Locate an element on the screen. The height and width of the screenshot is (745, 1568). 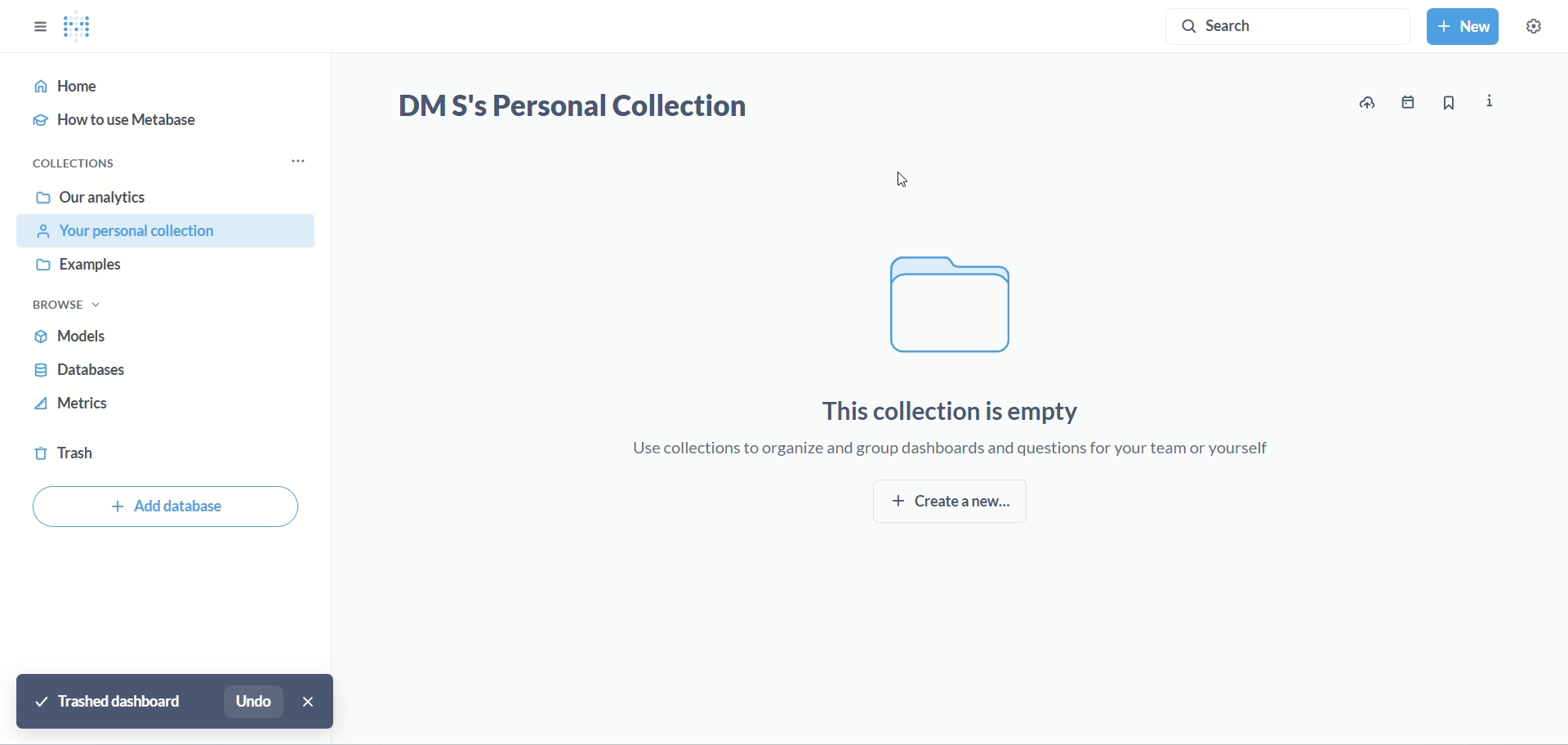
how to use metabase is located at coordinates (122, 123).